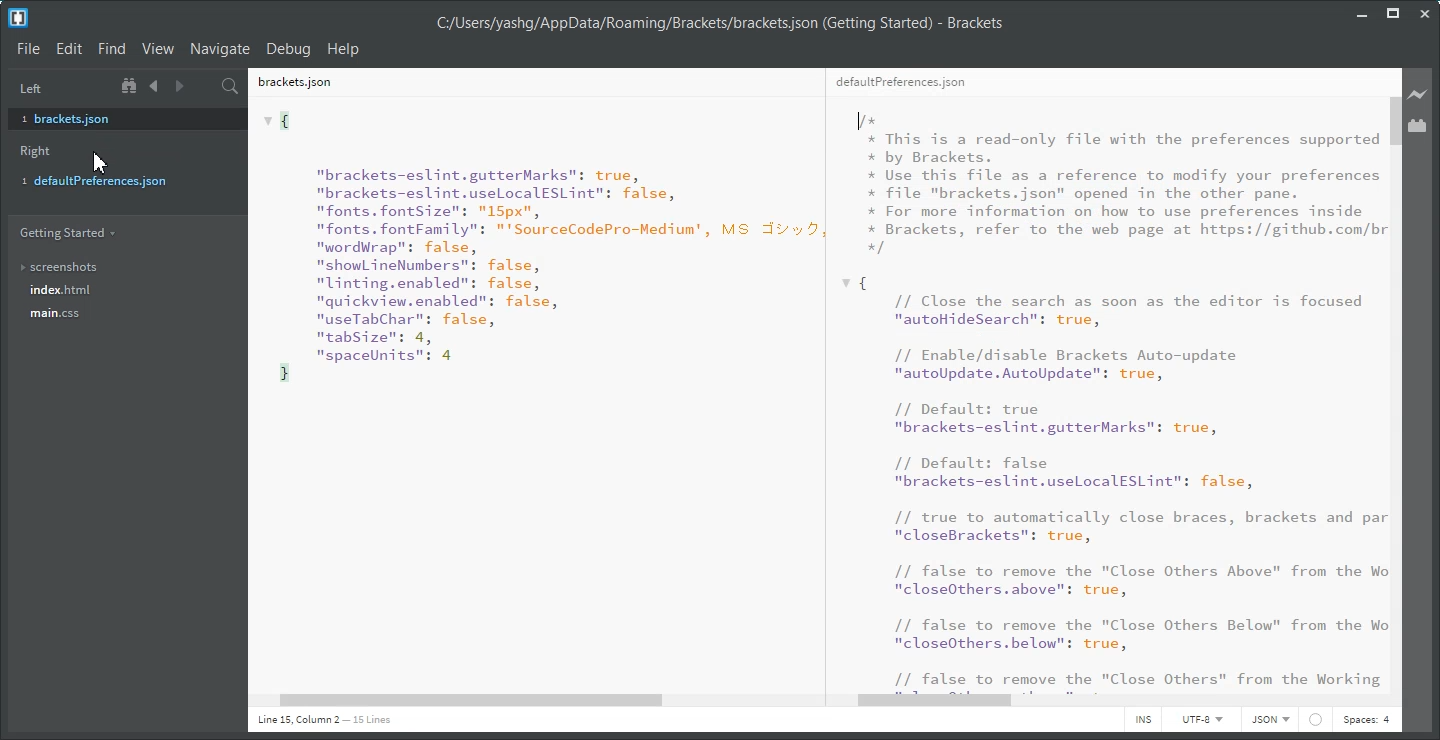  Describe the element at coordinates (121, 319) in the screenshot. I see `main.css` at that location.